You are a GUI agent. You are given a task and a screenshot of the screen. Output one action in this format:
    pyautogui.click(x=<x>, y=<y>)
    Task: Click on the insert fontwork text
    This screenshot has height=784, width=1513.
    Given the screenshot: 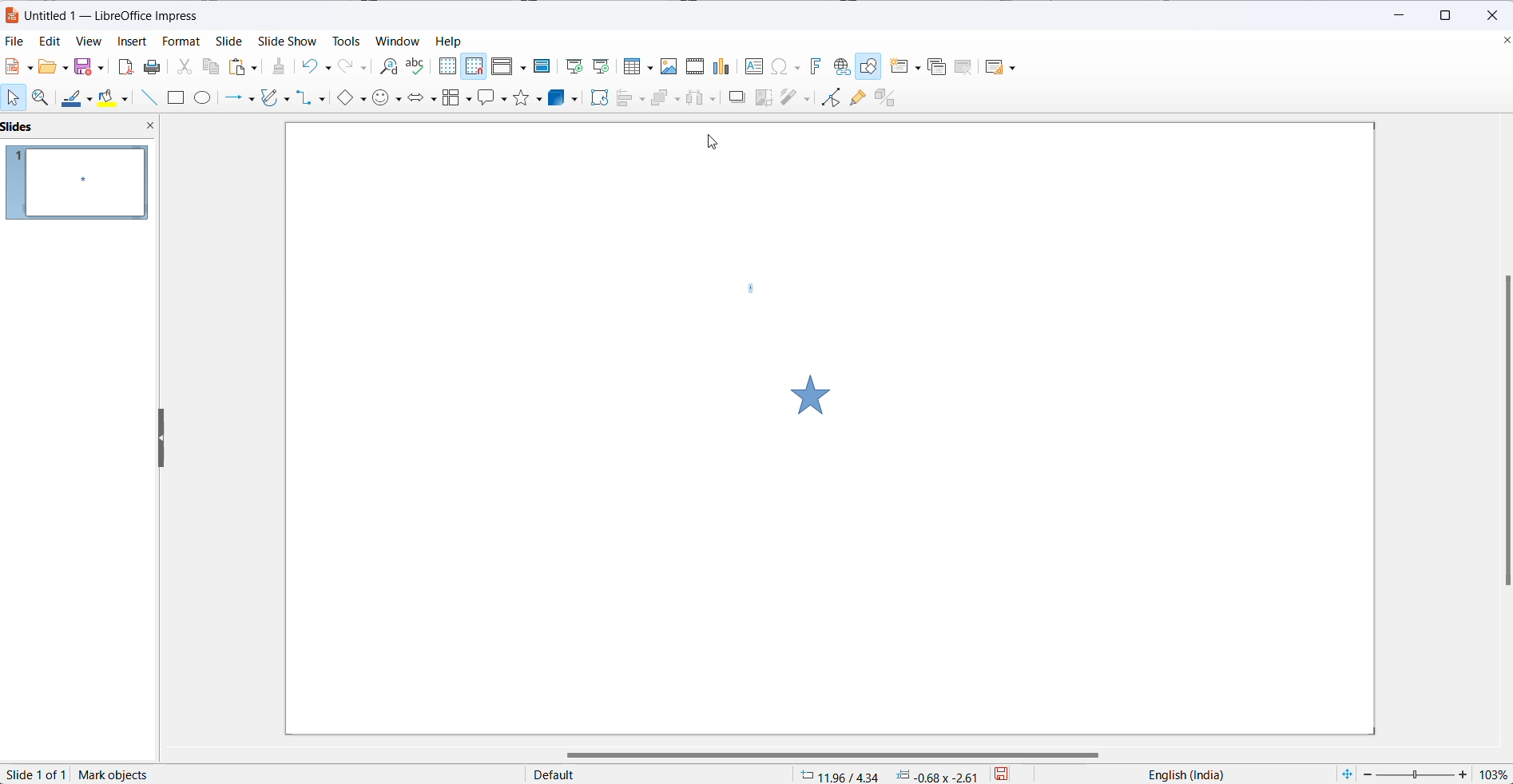 What is the action you would take?
    pyautogui.click(x=812, y=66)
    